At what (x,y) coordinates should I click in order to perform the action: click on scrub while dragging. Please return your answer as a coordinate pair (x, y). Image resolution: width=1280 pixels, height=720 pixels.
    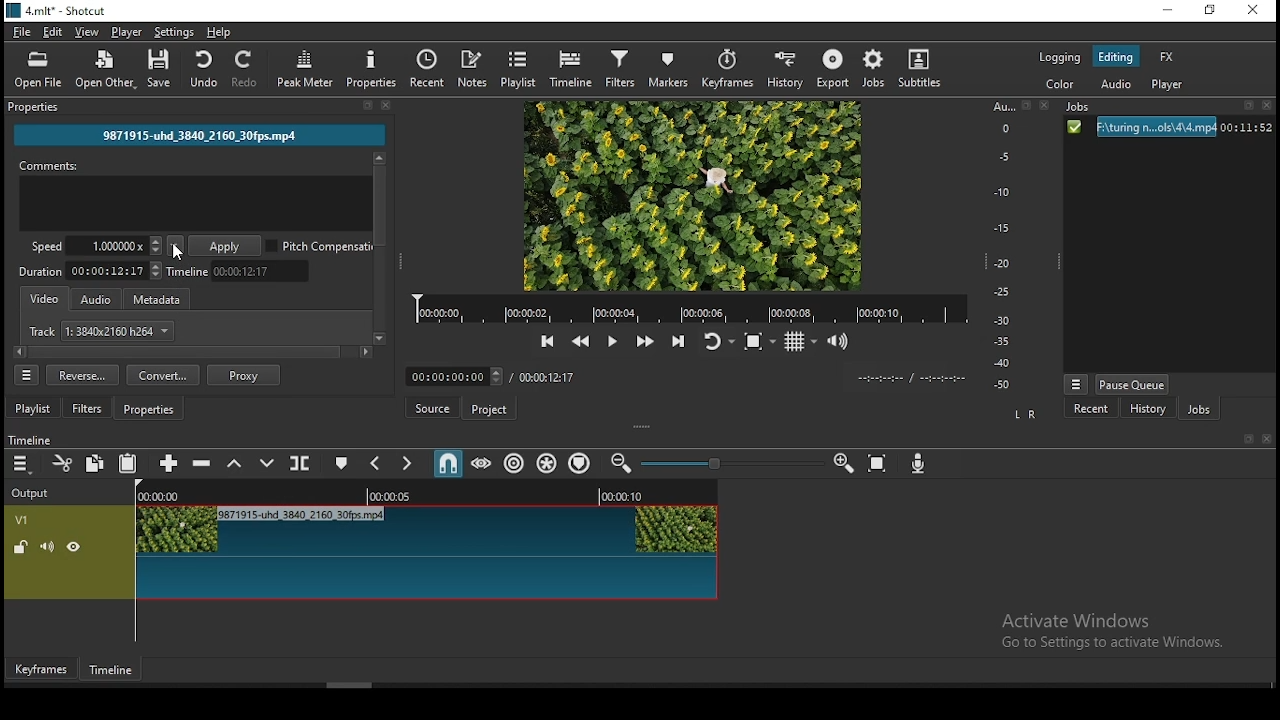
    Looking at the image, I should click on (483, 463).